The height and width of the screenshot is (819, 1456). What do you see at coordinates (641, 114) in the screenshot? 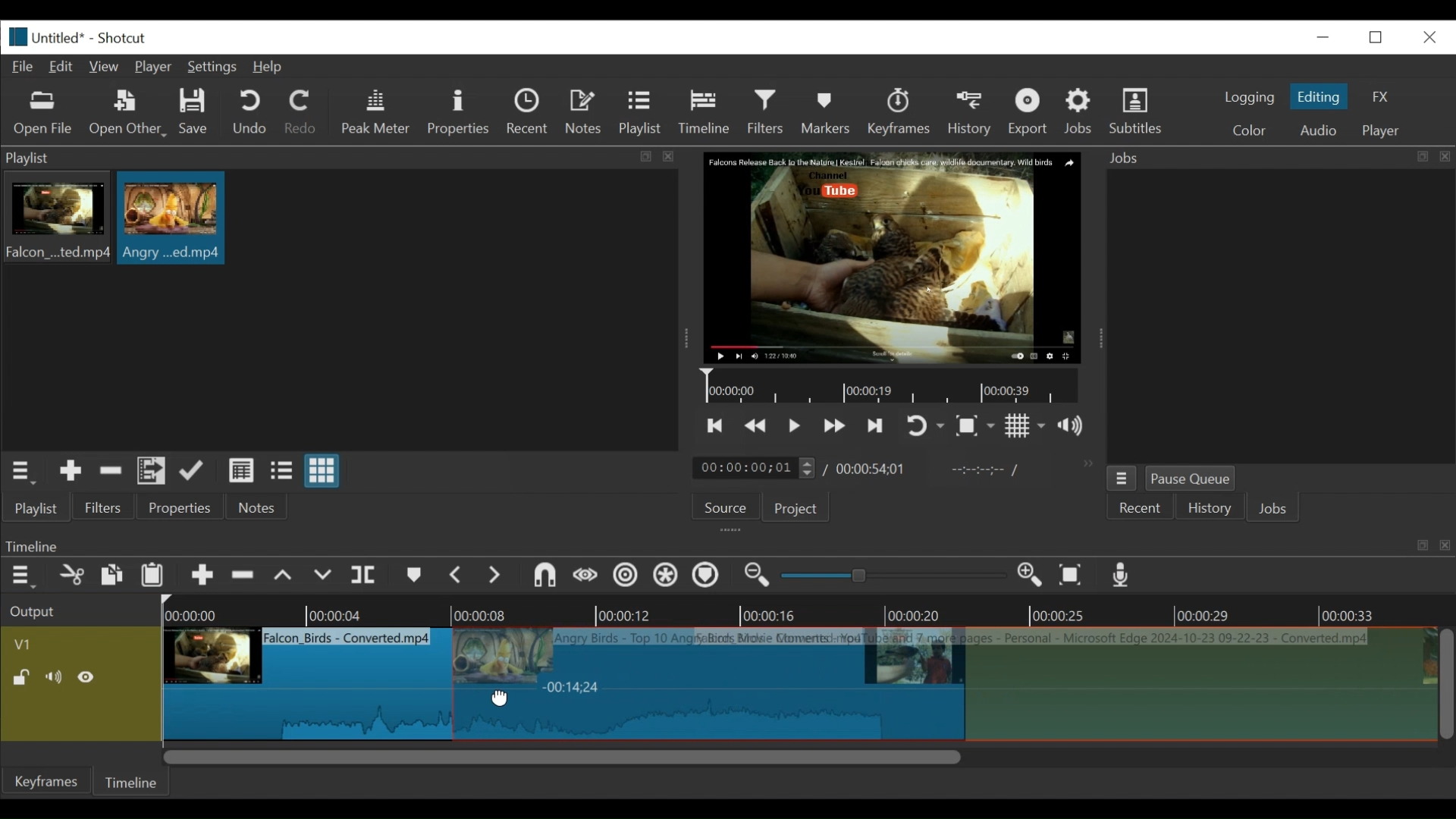
I see `Playlist` at bounding box center [641, 114].